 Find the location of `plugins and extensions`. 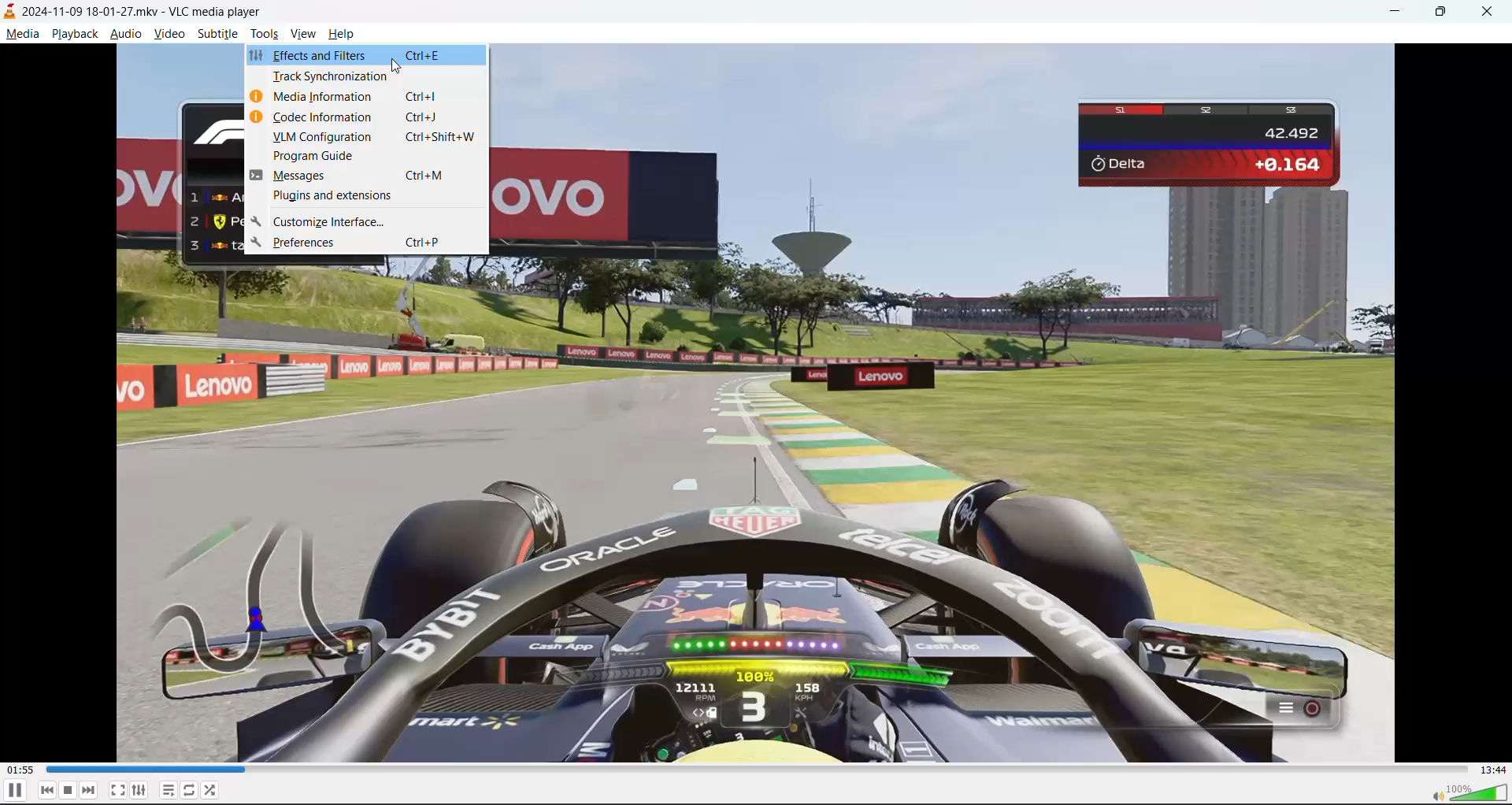

plugins and extensions is located at coordinates (365, 197).